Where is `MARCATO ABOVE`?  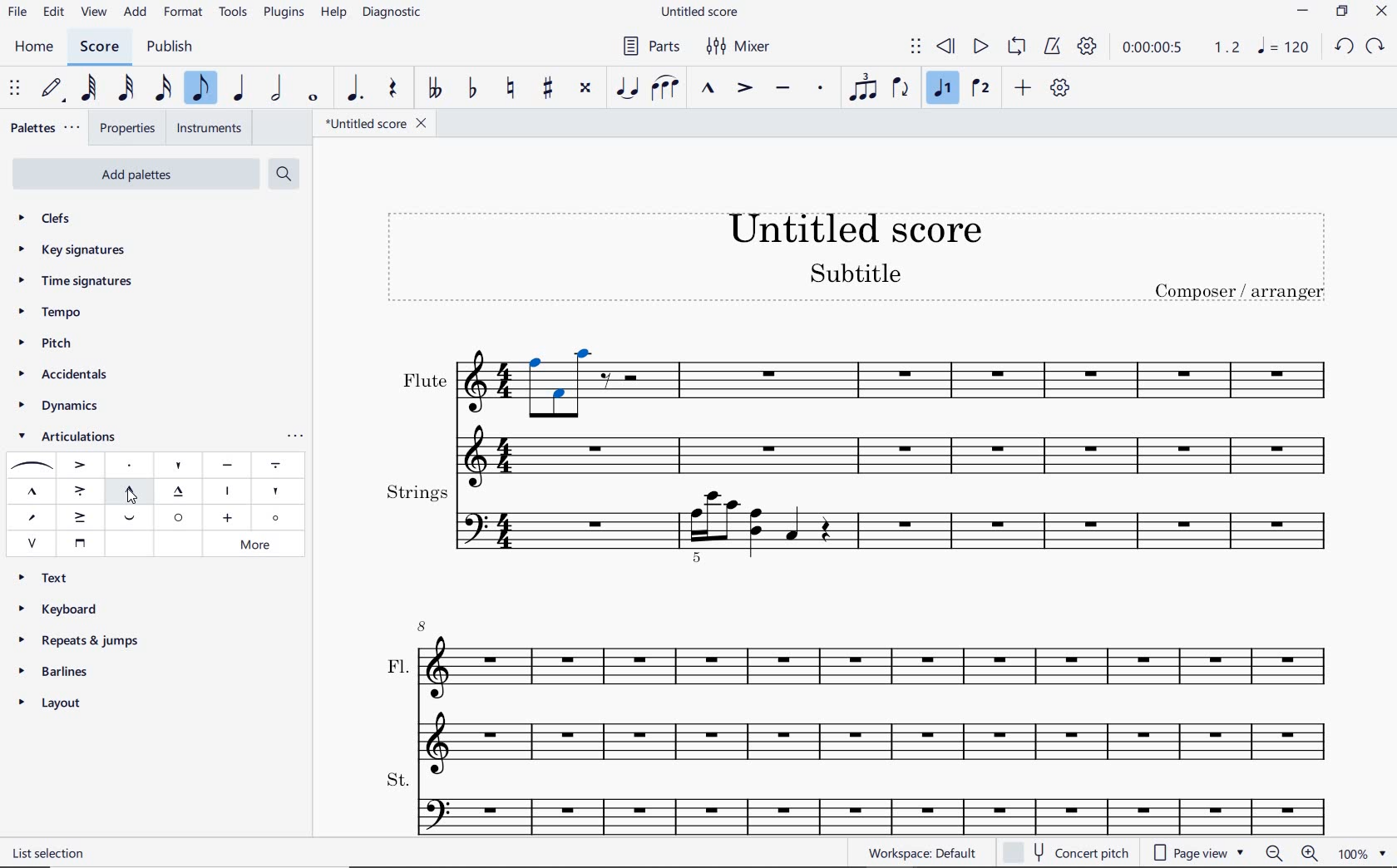 MARCATO ABOVE is located at coordinates (32, 492).